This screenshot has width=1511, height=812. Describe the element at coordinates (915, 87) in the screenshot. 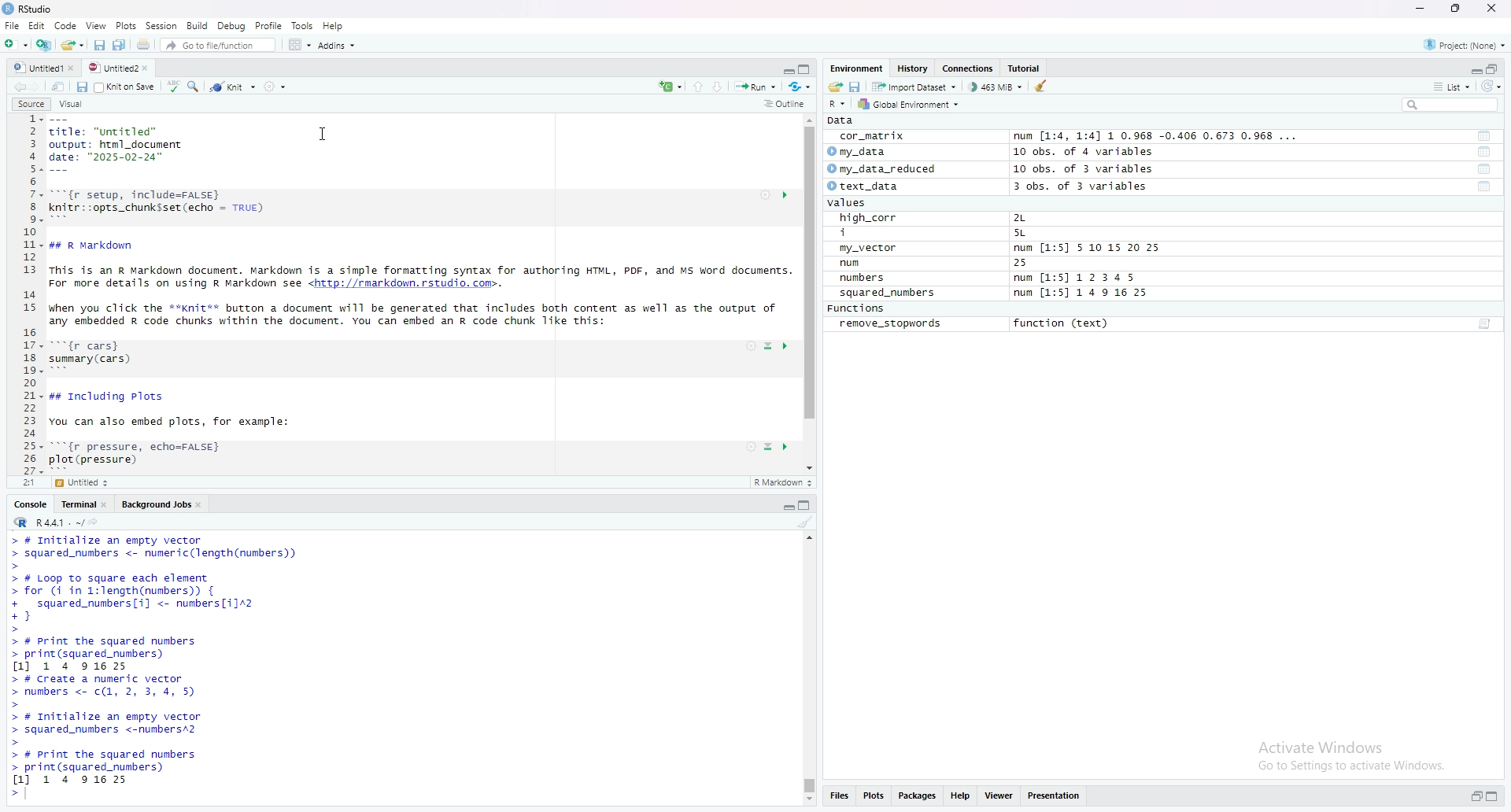

I see `Import dataset` at that location.